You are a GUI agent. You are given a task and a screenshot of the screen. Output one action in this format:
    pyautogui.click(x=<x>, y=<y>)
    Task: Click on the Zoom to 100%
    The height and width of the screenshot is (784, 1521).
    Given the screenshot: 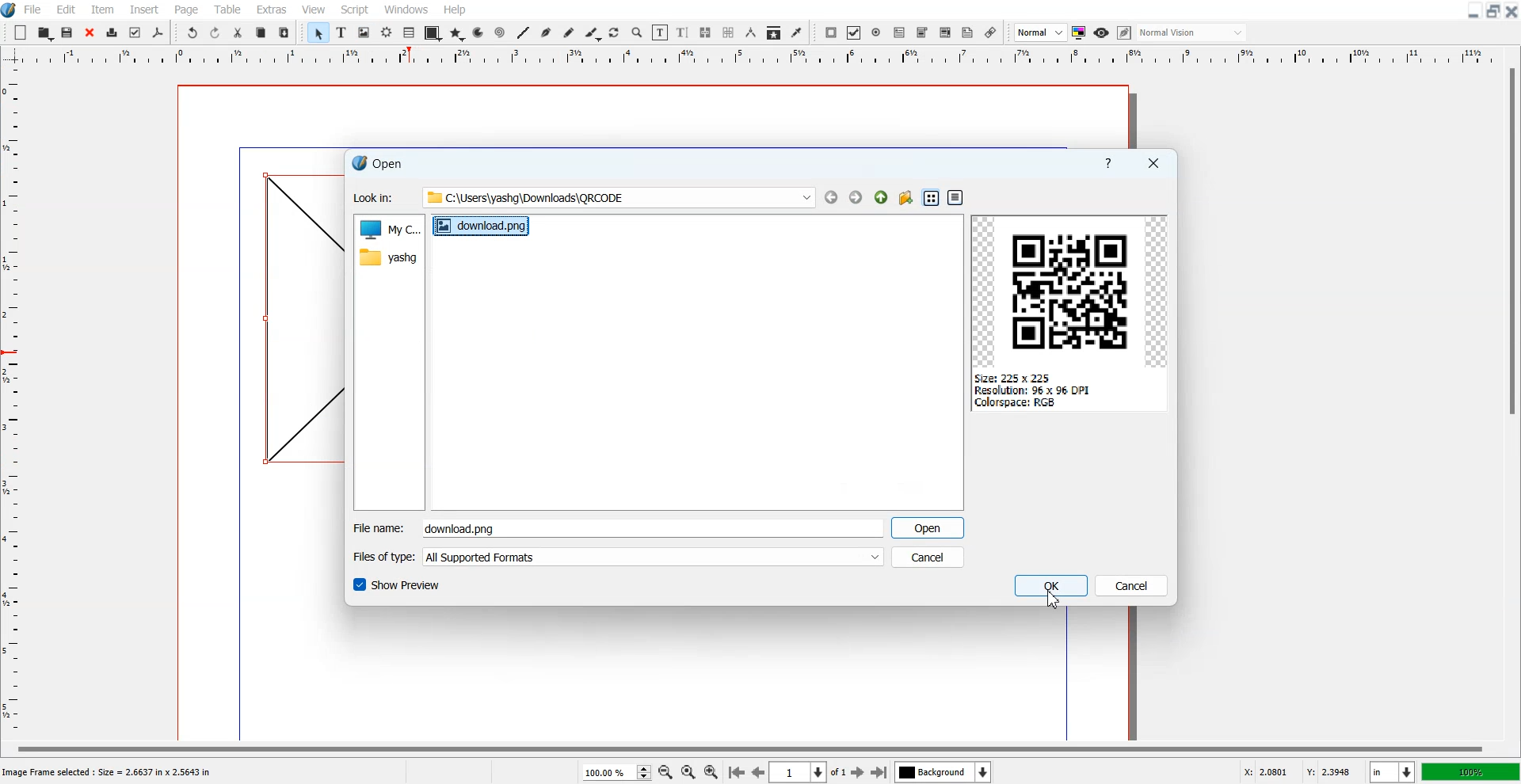 What is the action you would take?
    pyautogui.click(x=688, y=771)
    